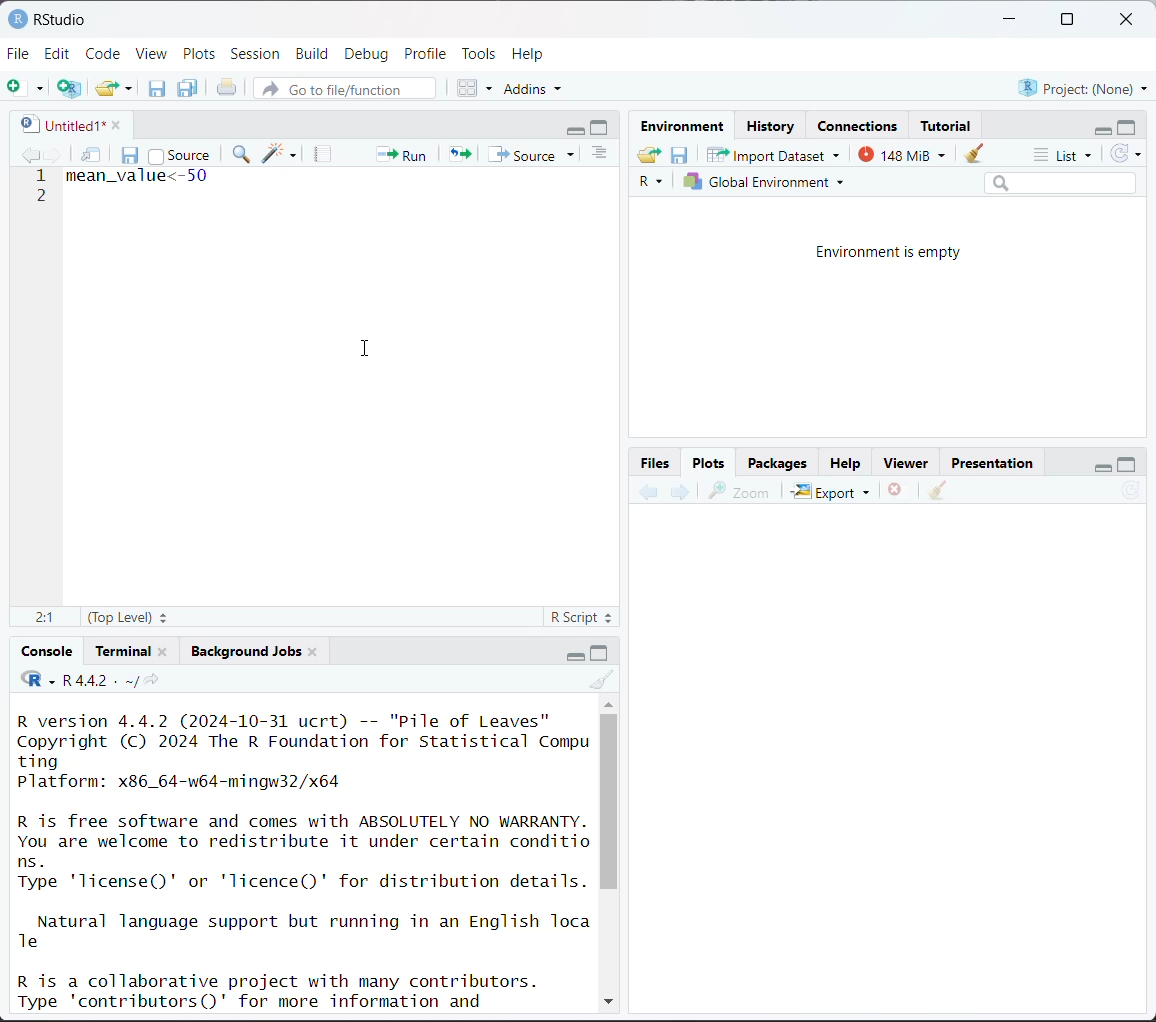  I want to click on clear console, so click(604, 680).